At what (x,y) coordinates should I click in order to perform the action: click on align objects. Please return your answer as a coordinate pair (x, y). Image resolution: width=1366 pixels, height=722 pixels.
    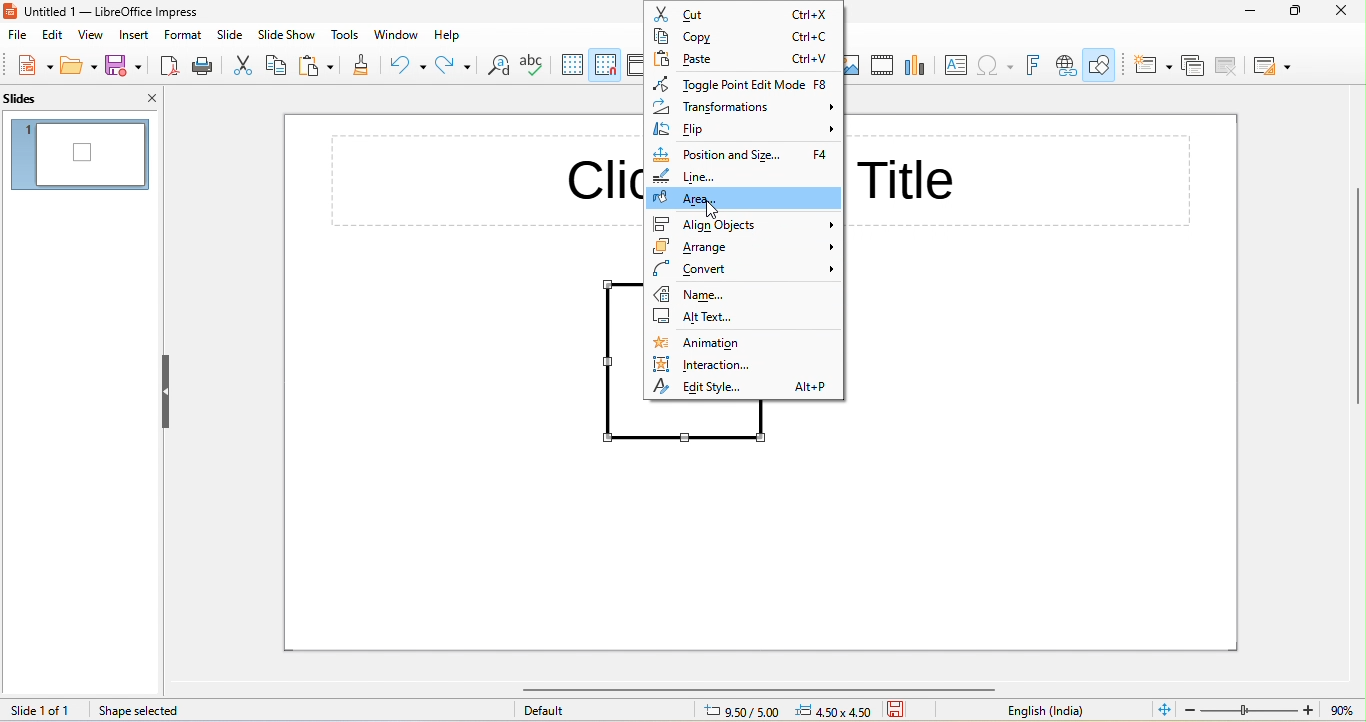
    Looking at the image, I should click on (745, 224).